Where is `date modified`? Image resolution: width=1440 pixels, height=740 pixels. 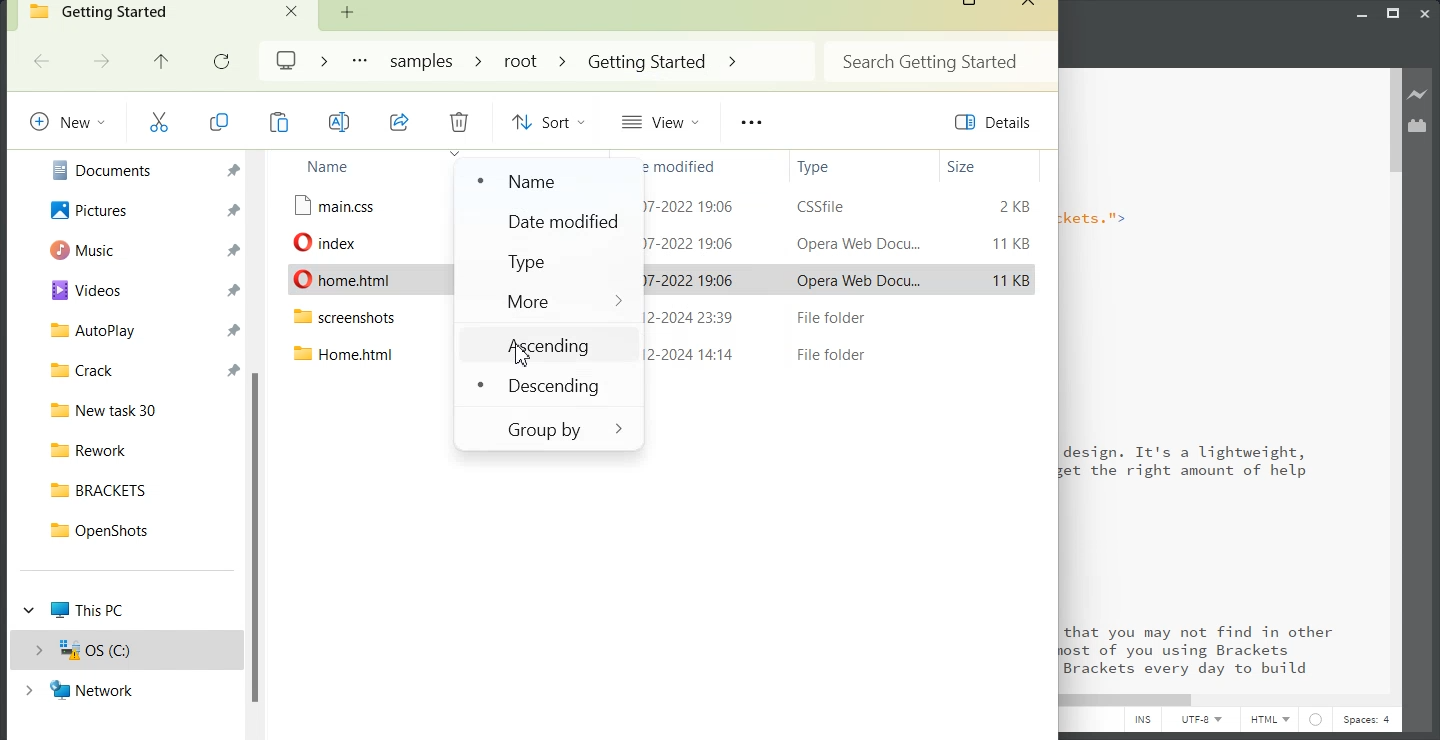
date modified is located at coordinates (688, 317).